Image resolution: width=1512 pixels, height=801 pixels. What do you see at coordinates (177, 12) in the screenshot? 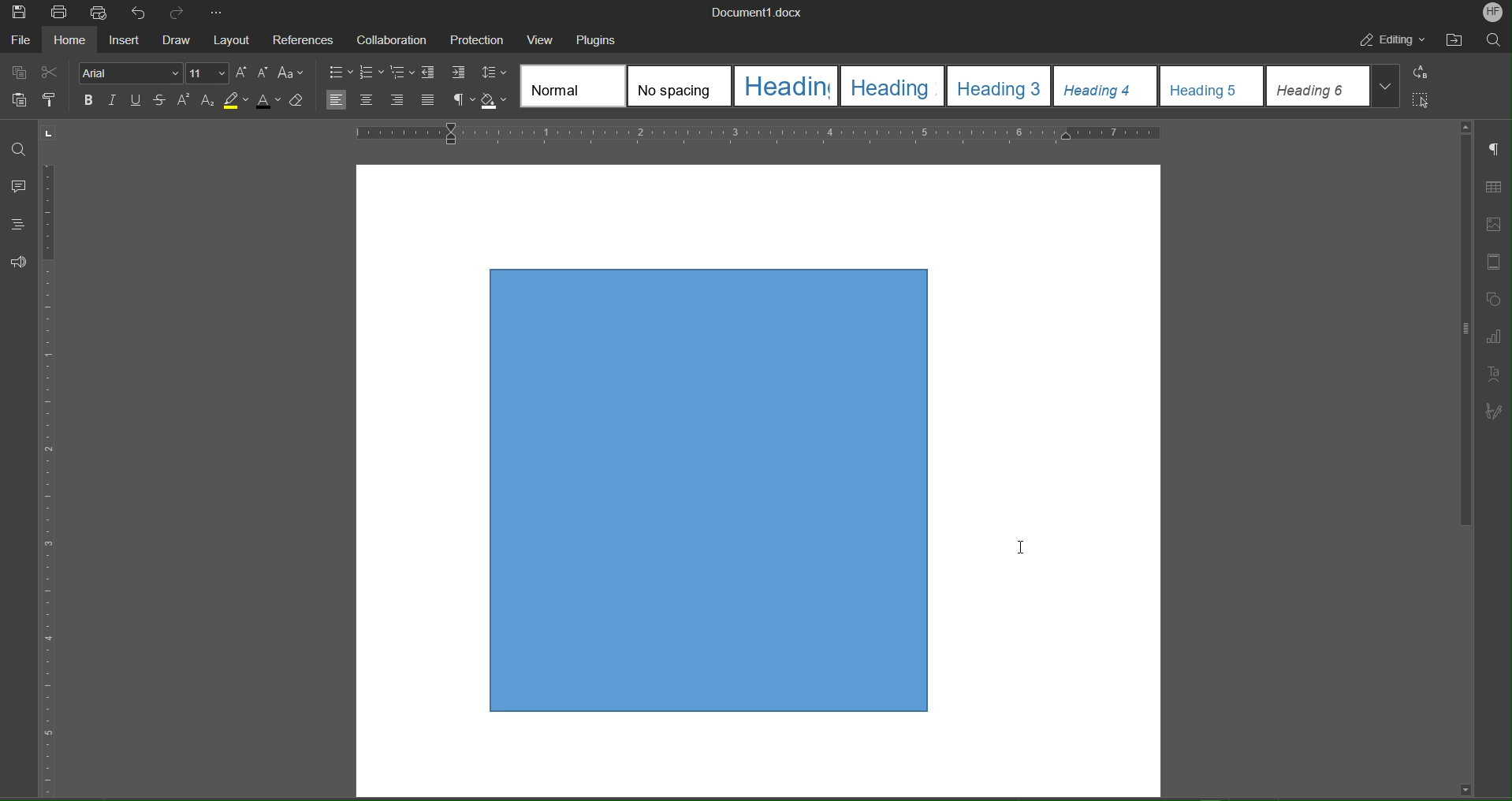
I see `Redo` at bounding box center [177, 12].